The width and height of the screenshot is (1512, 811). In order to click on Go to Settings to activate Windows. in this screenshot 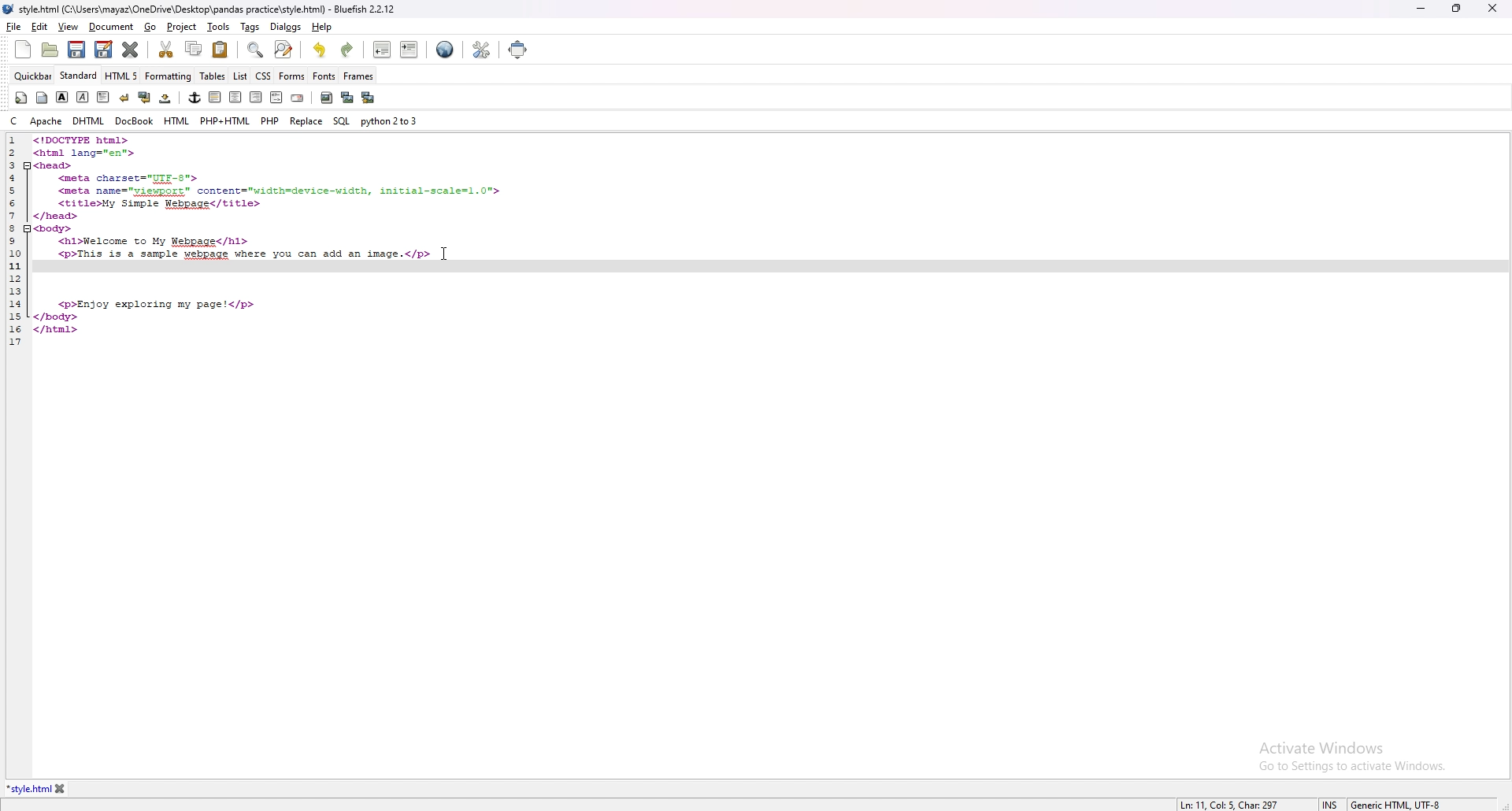, I will do `click(1352, 765)`.